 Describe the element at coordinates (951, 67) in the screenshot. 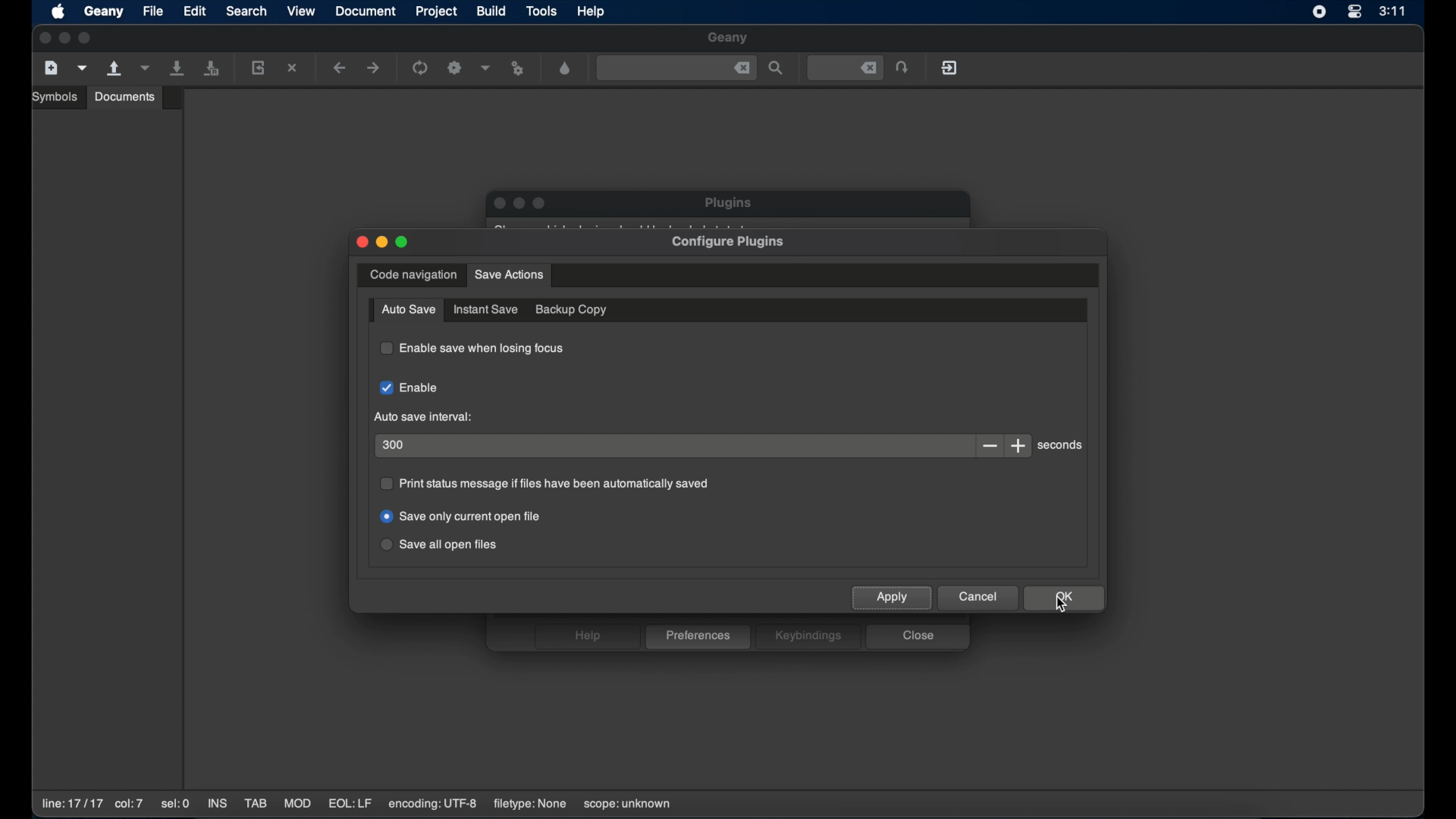

I see `quit geany` at that location.